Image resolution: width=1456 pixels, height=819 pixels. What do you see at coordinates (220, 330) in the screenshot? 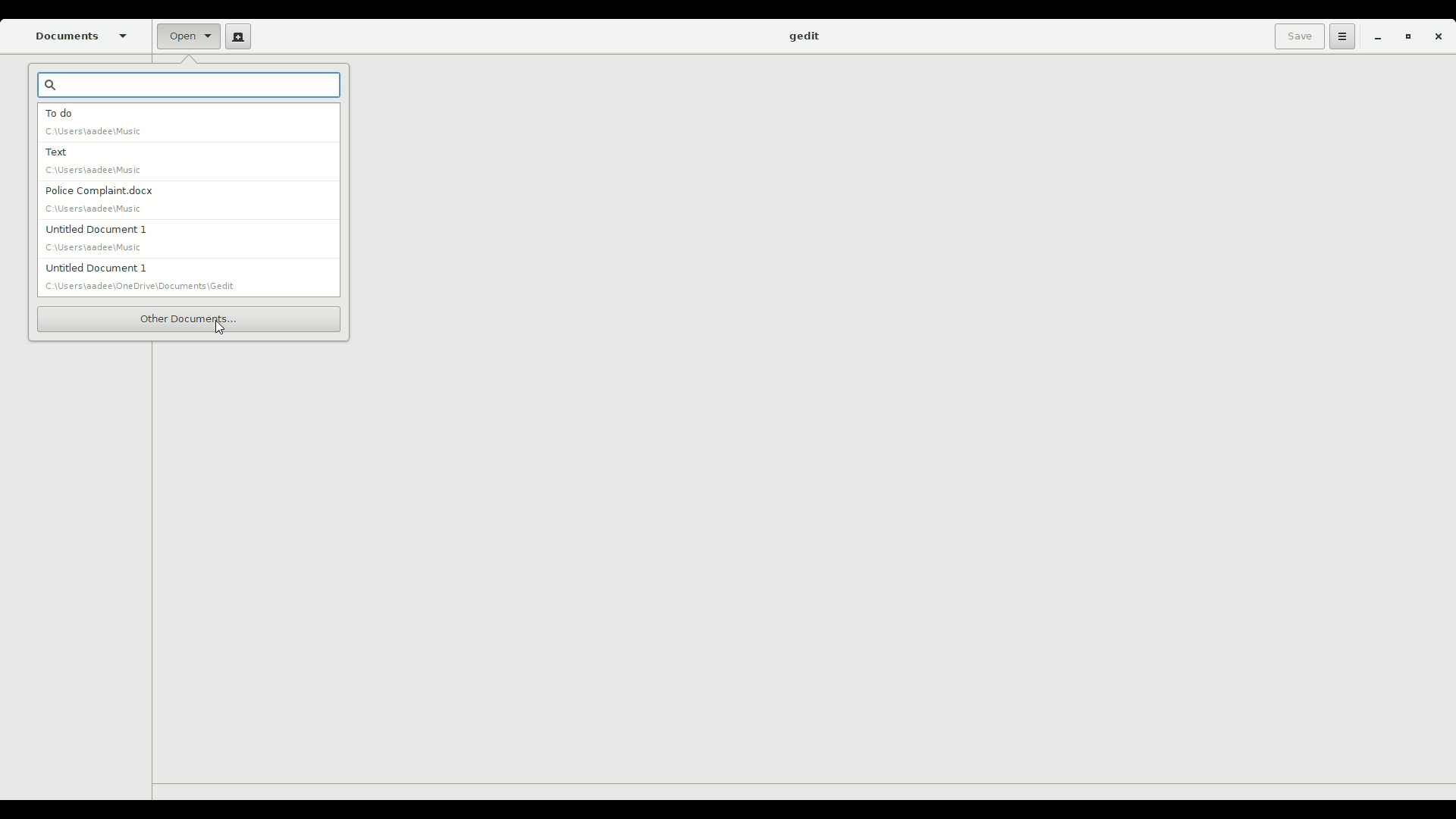
I see `Cursor` at bounding box center [220, 330].